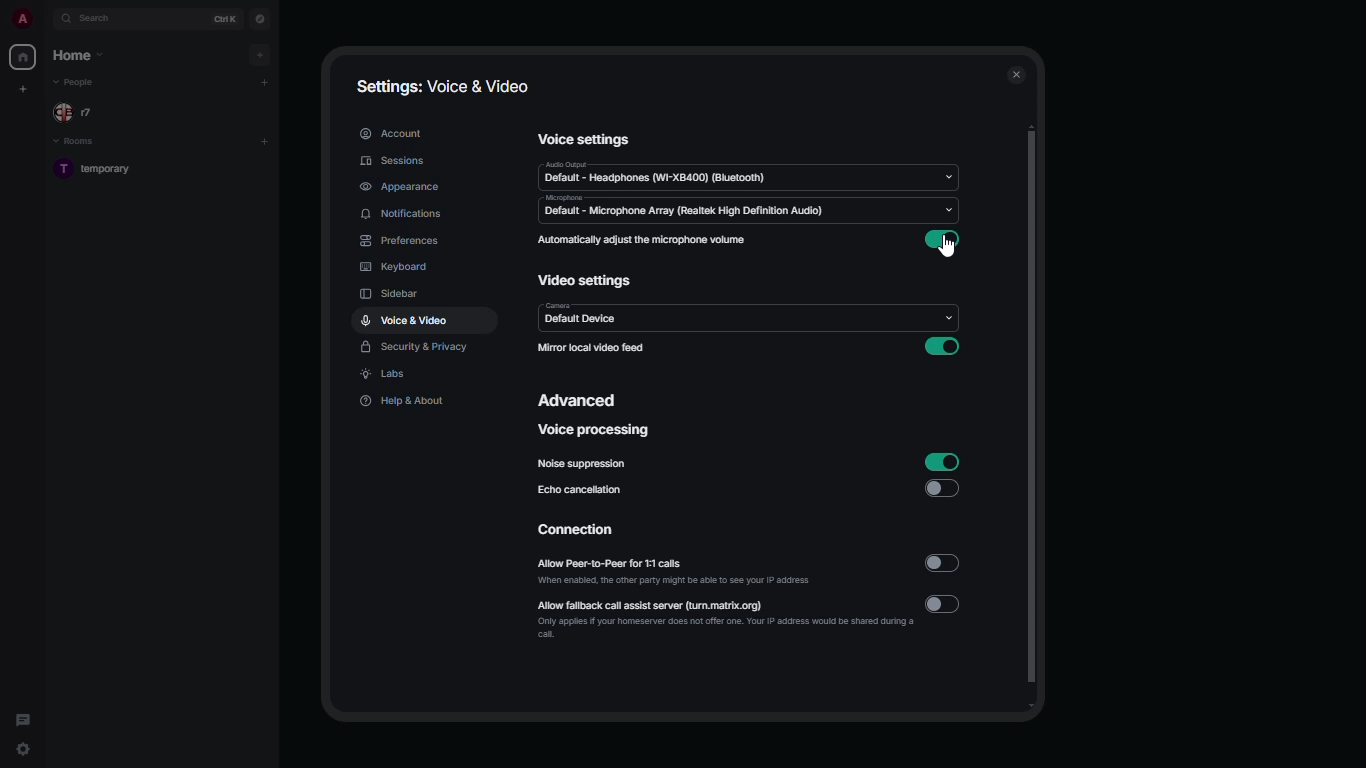  What do you see at coordinates (677, 573) in the screenshot?
I see `allow peer-to-peer for 1:1 calls` at bounding box center [677, 573].